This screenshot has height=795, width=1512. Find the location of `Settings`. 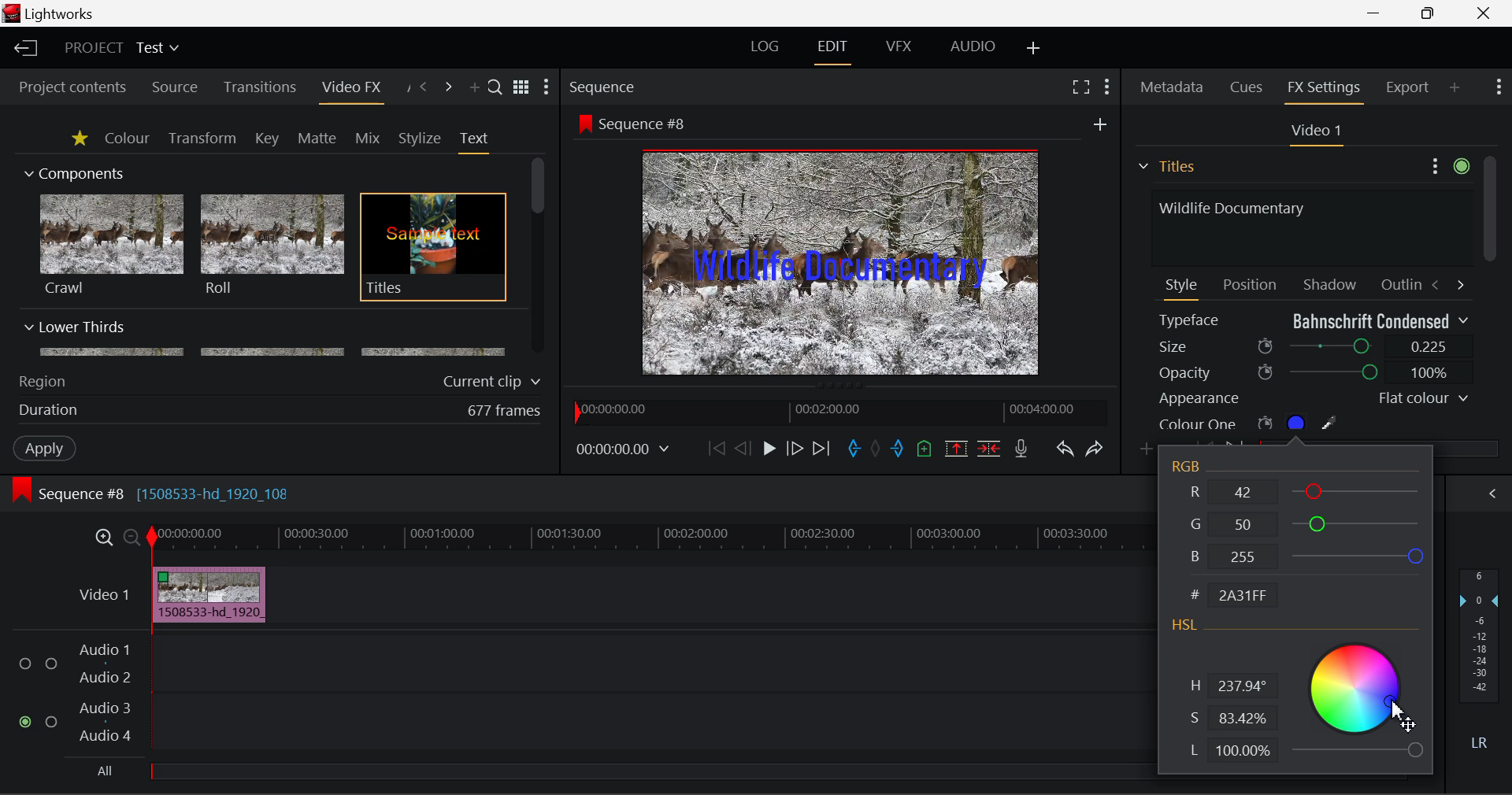

Settings is located at coordinates (1447, 164).